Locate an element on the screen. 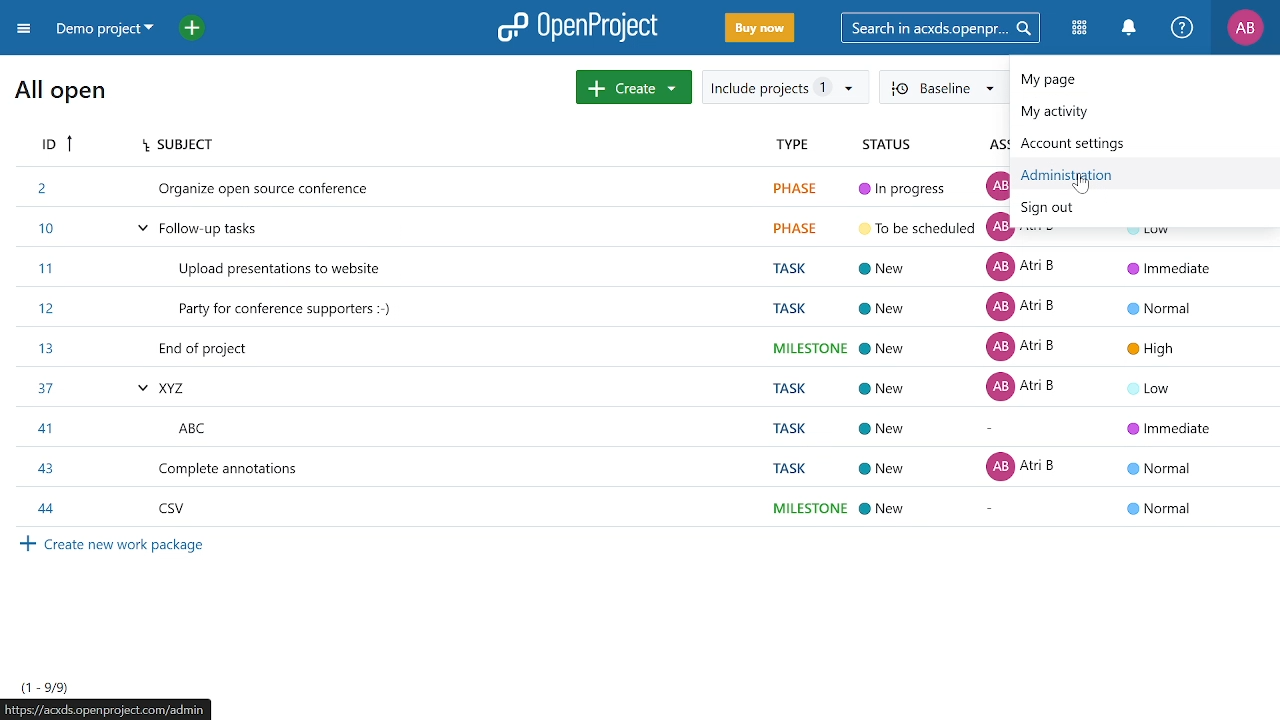 The width and height of the screenshot is (1280, 720). Modules is located at coordinates (1082, 29).